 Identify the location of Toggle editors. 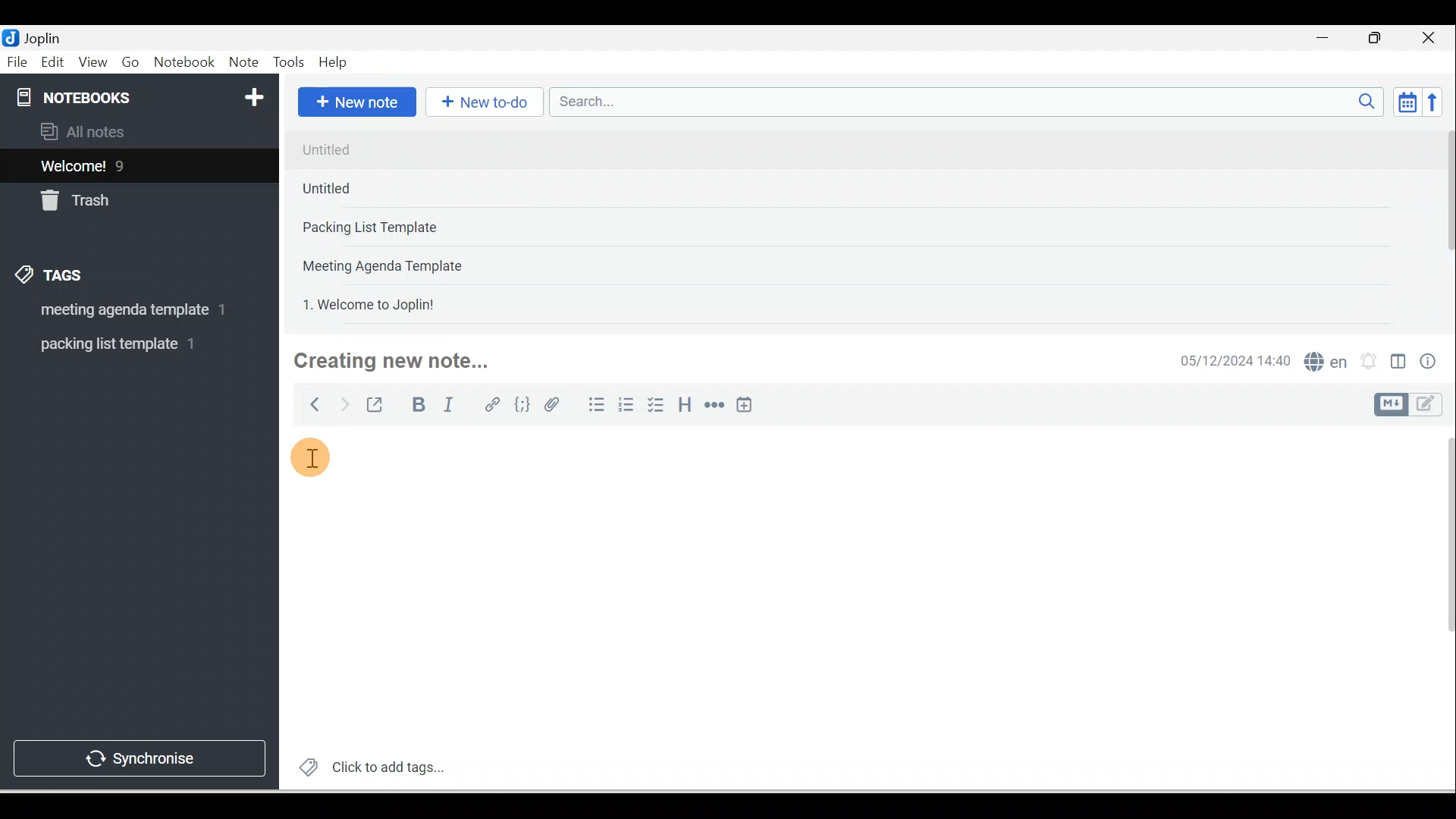
(1398, 364).